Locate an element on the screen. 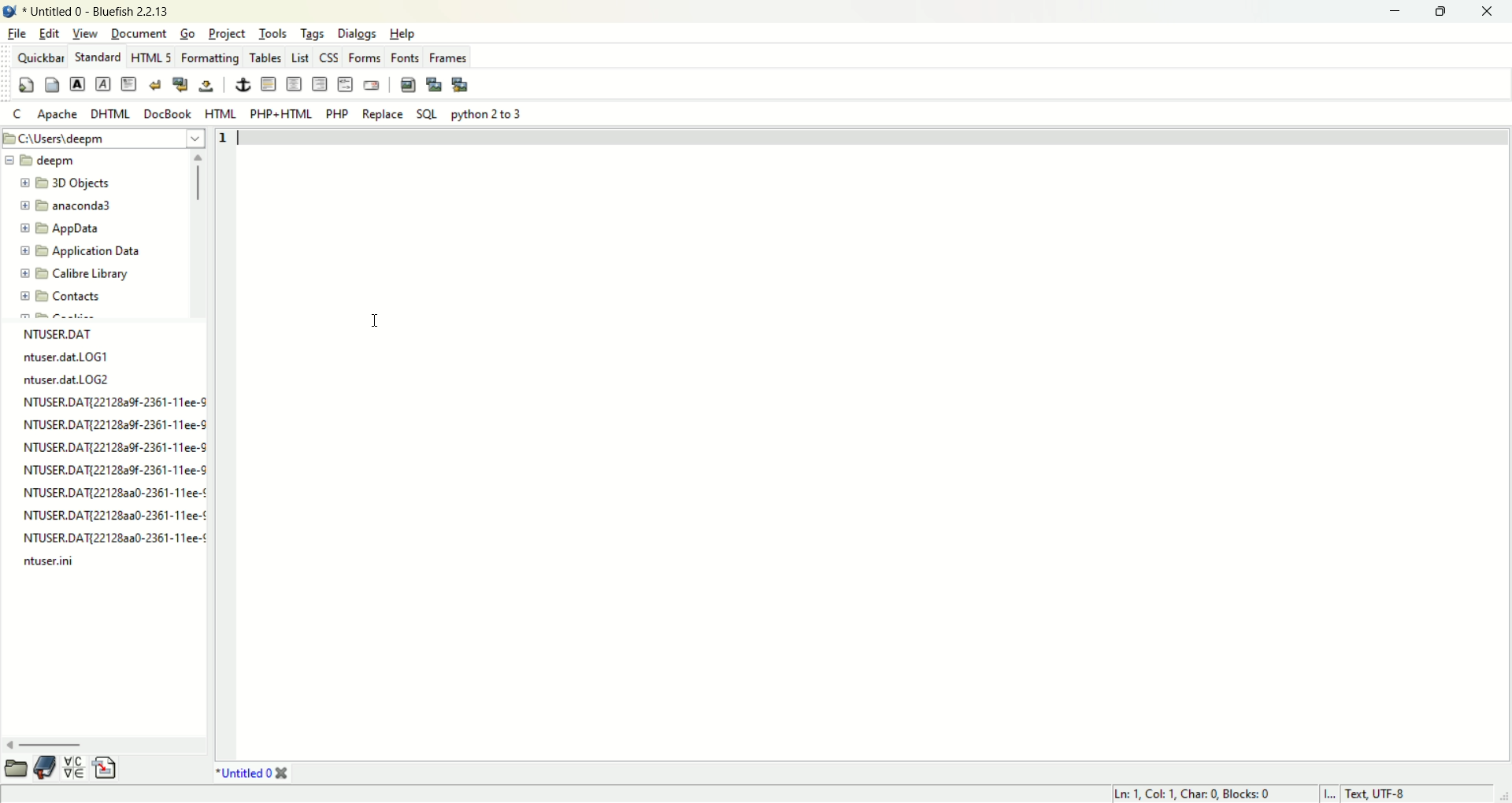  SQL is located at coordinates (428, 117).